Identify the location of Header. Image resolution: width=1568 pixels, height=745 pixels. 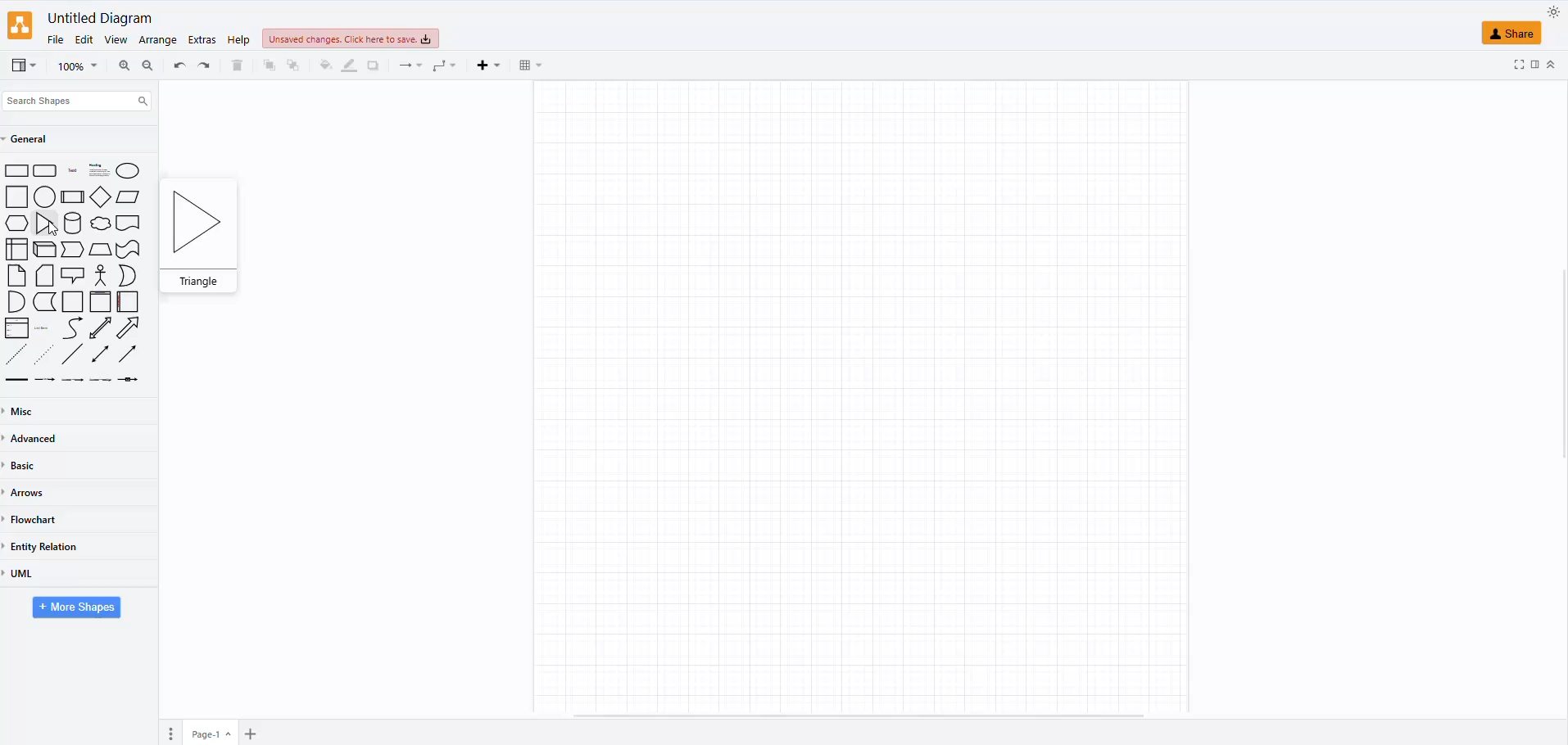
(128, 223).